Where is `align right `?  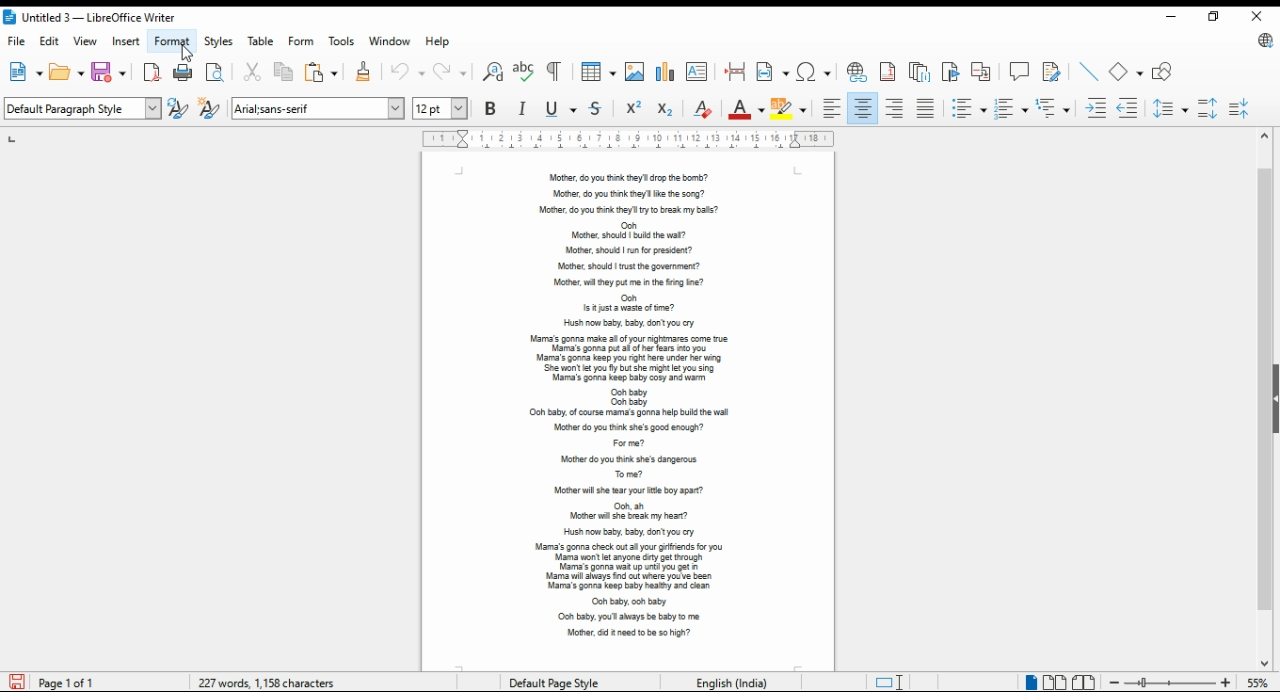 align right  is located at coordinates (897, 108).